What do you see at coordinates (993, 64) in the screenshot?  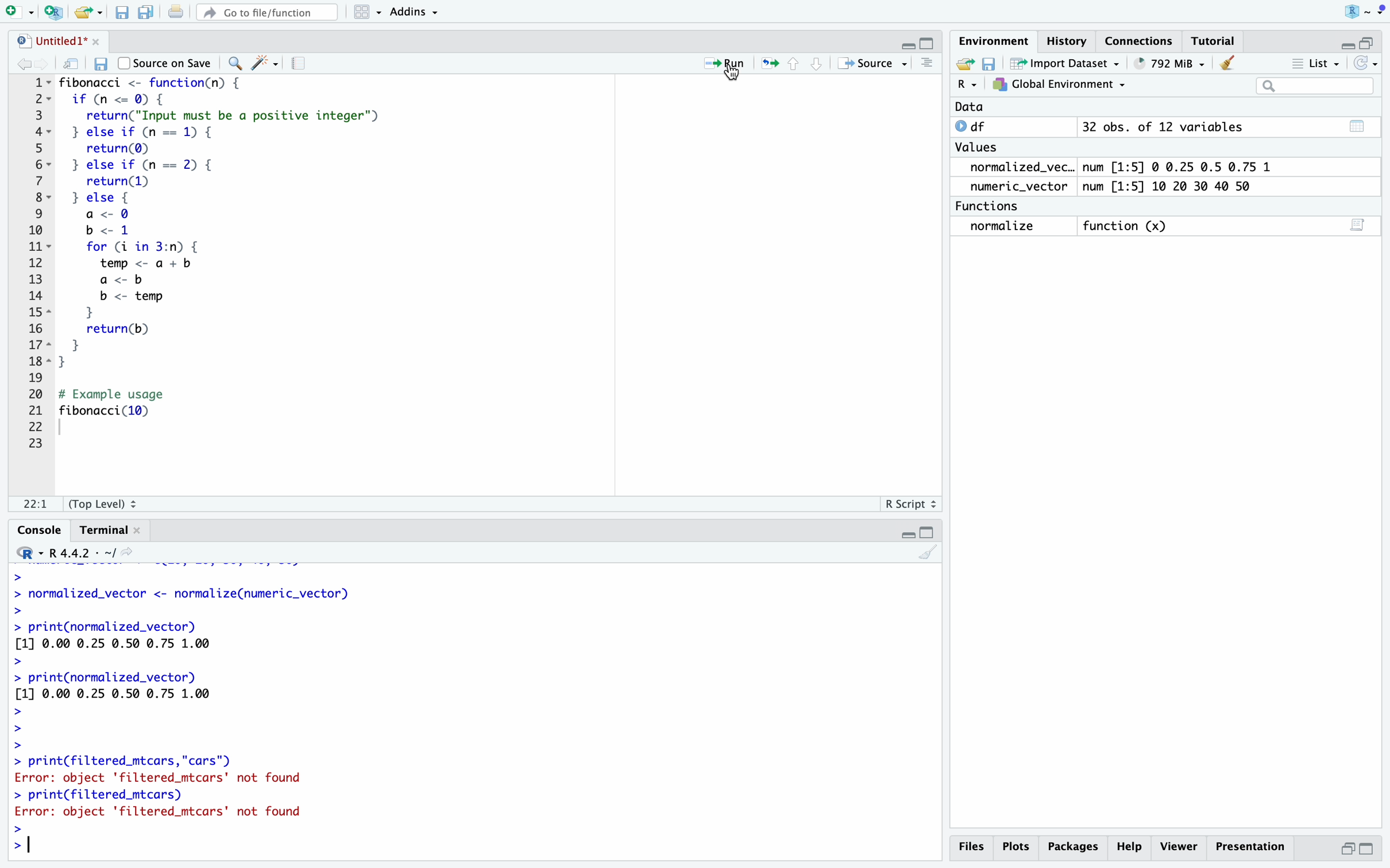 I see `save workspace as` at bounding box center [993, 64].